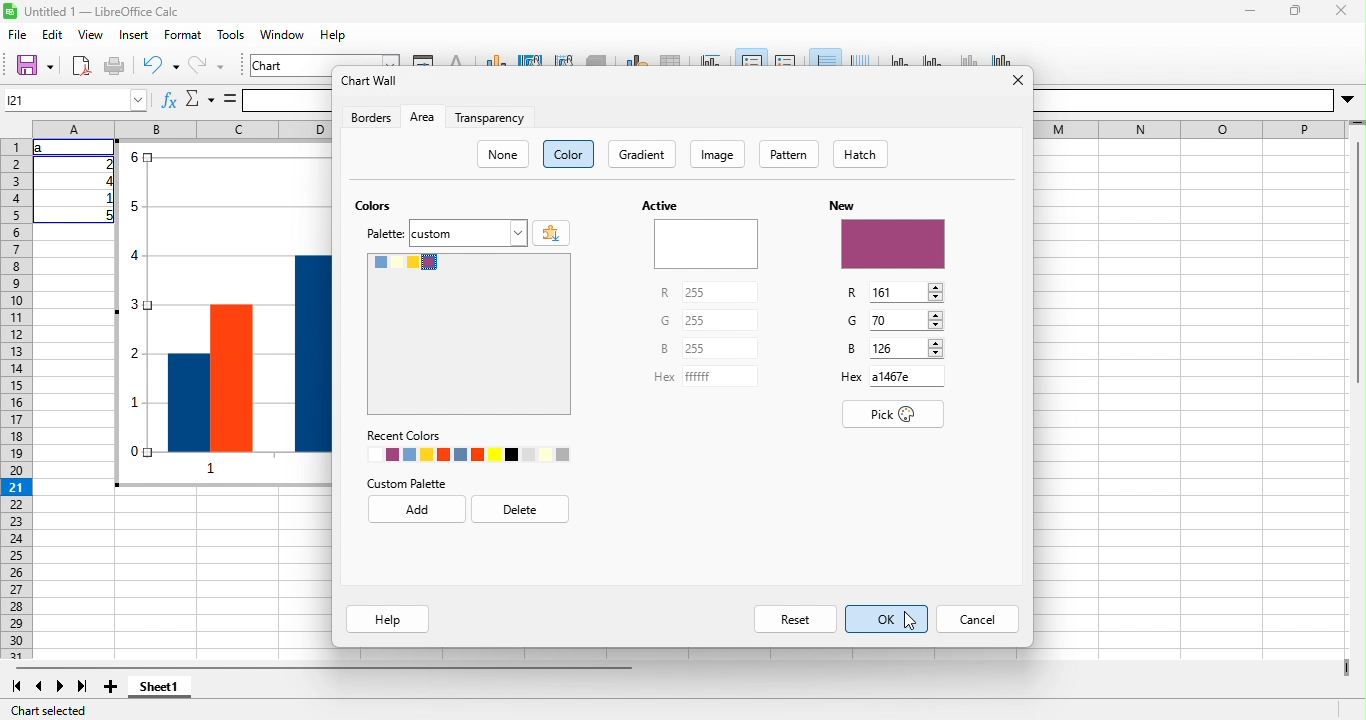 The height and width of the screenshot is (720, 1366). I want to click on Input for G, so click(720, 320).